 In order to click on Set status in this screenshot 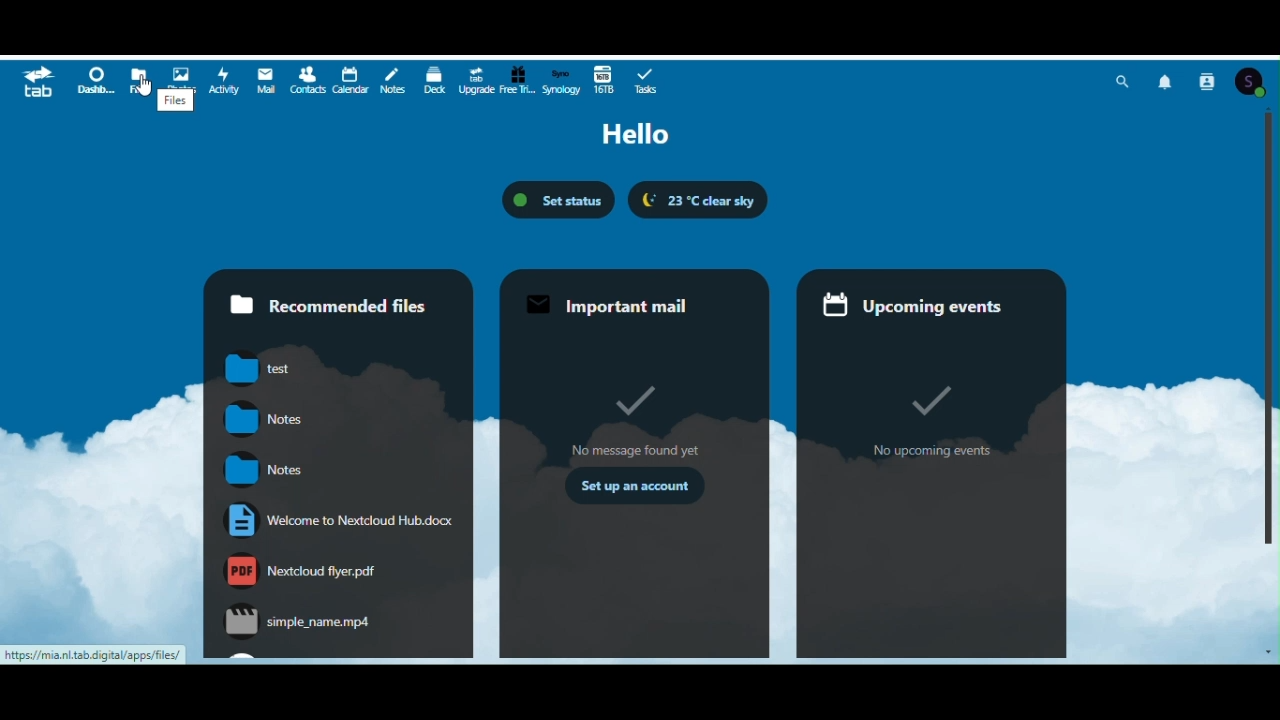, I will do `click(559, 200)`.